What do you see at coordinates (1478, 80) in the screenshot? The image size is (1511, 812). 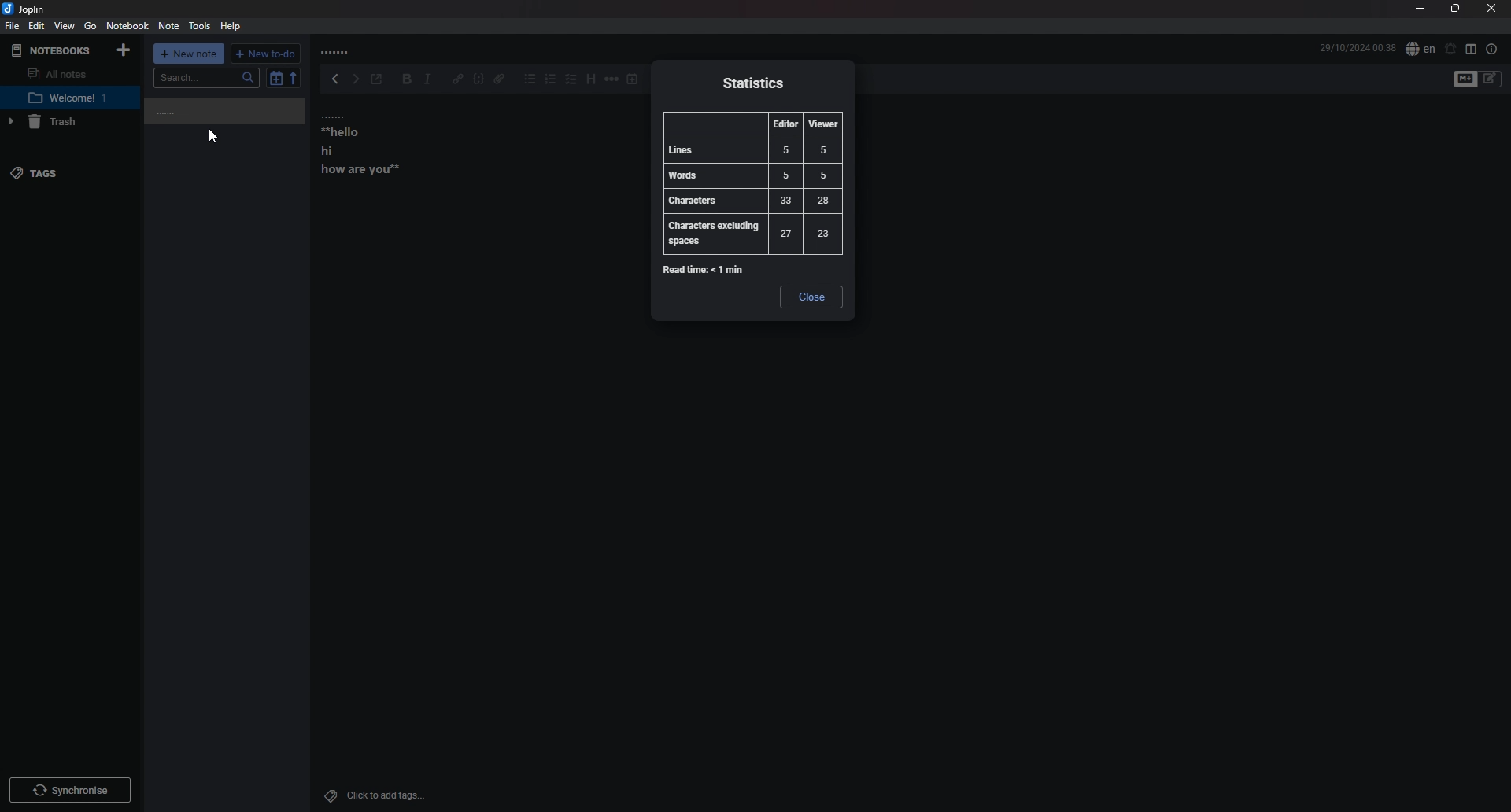 I see `Toggle editor` at bounding box center [1478, 80].